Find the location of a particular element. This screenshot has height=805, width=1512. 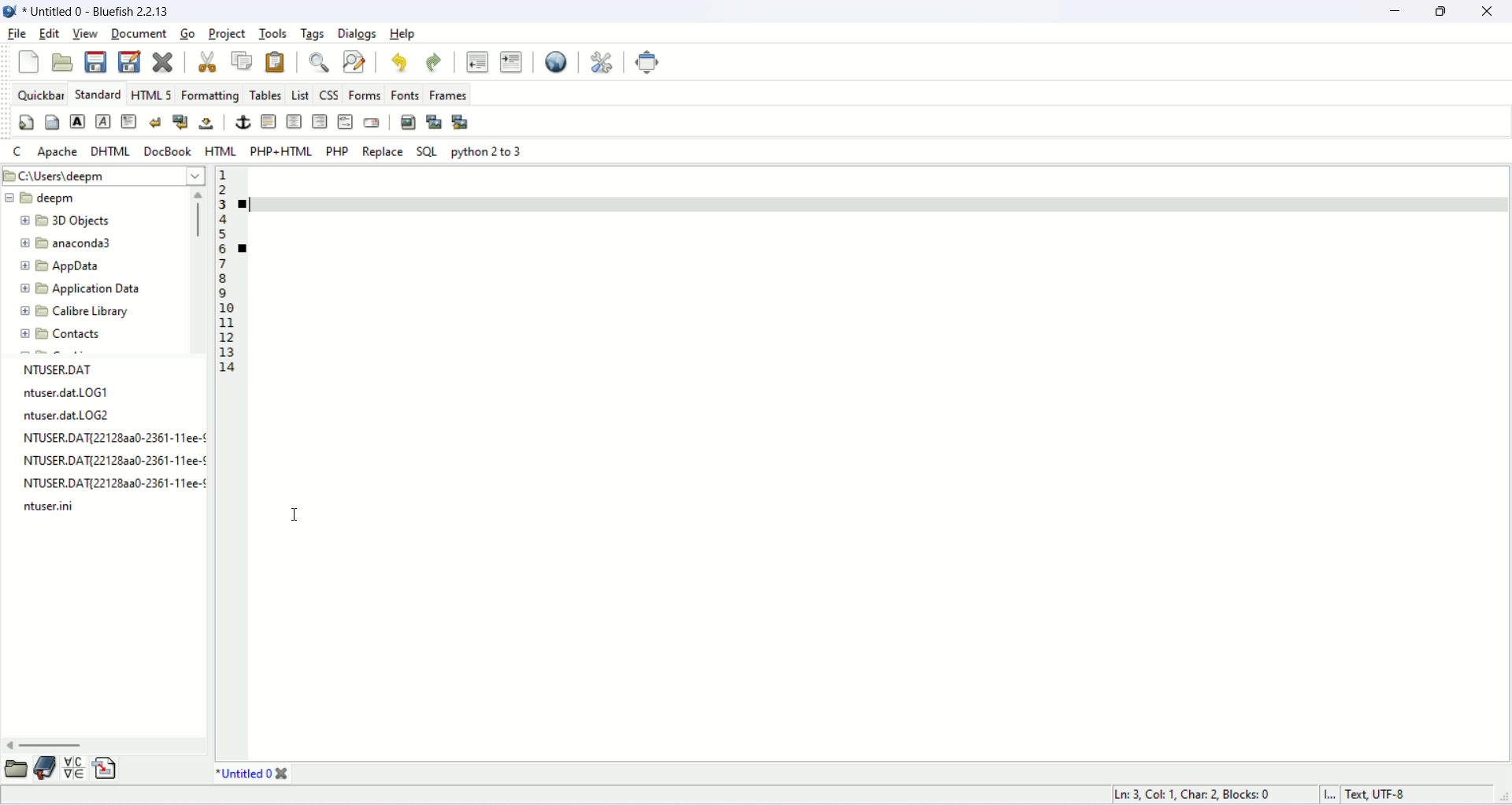

indent is located at coordinates (513, 63).